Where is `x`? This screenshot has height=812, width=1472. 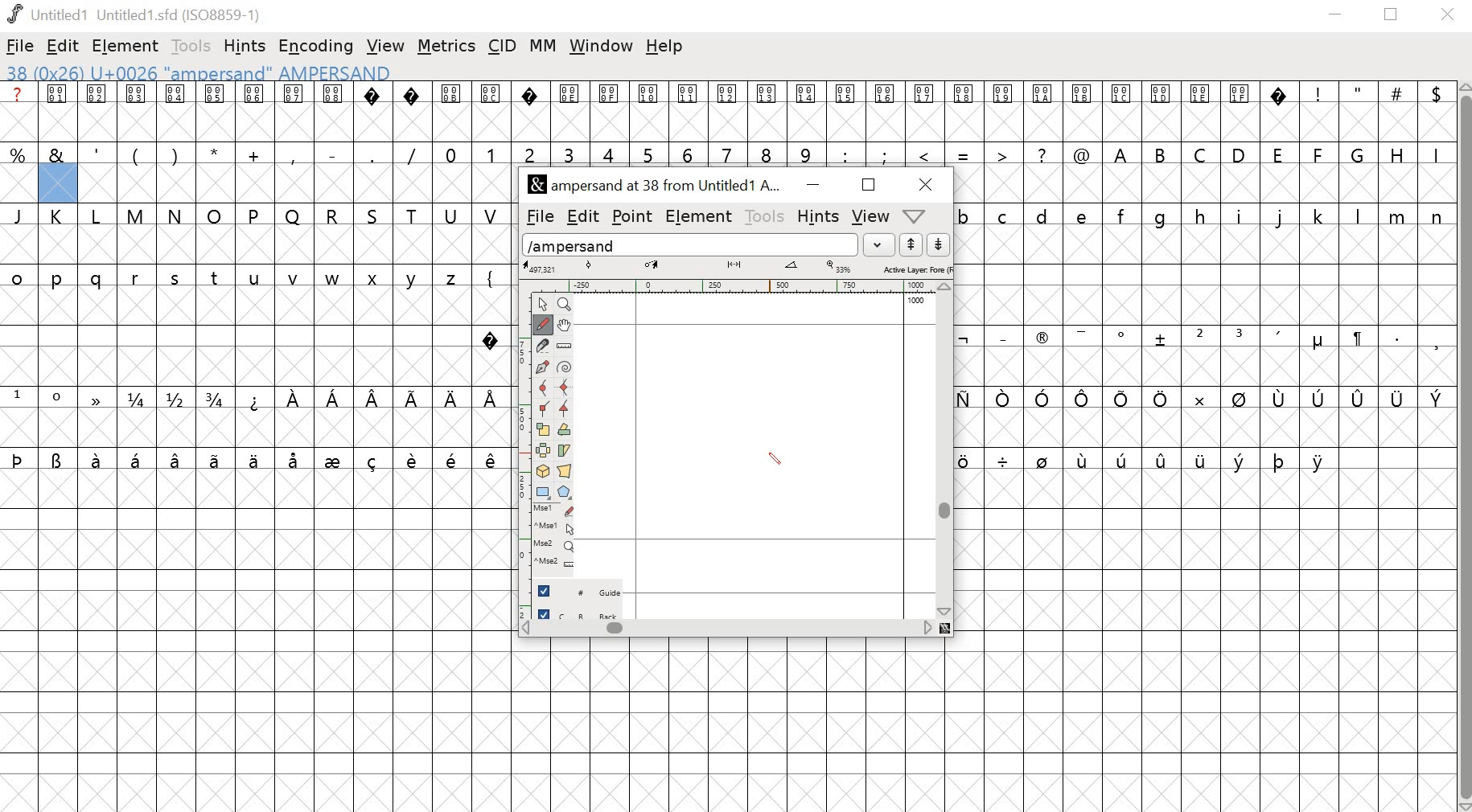
x is located at coordinates (377, 279).